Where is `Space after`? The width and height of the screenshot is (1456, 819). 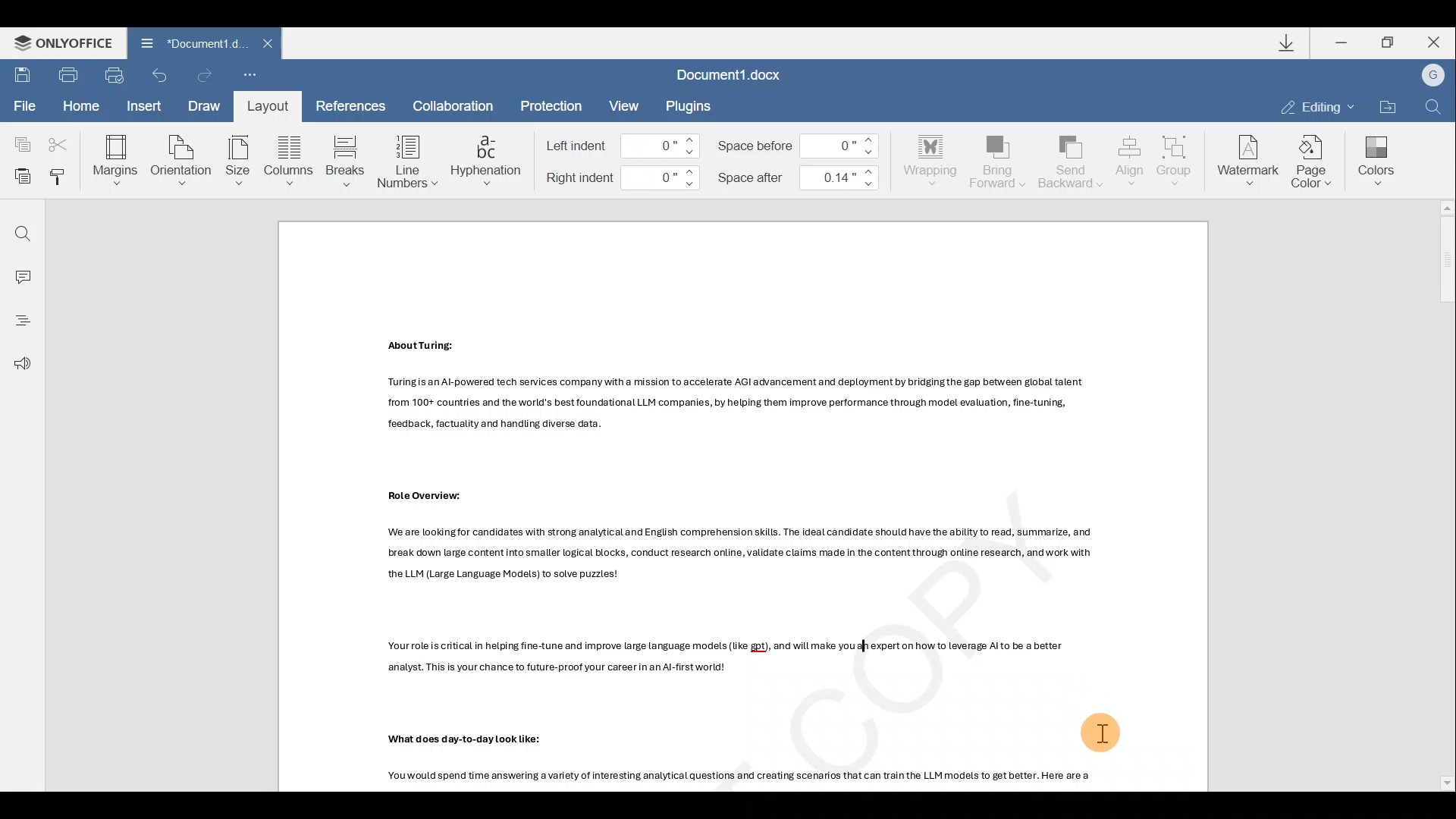 Space after is located at coordinates (797, 180).